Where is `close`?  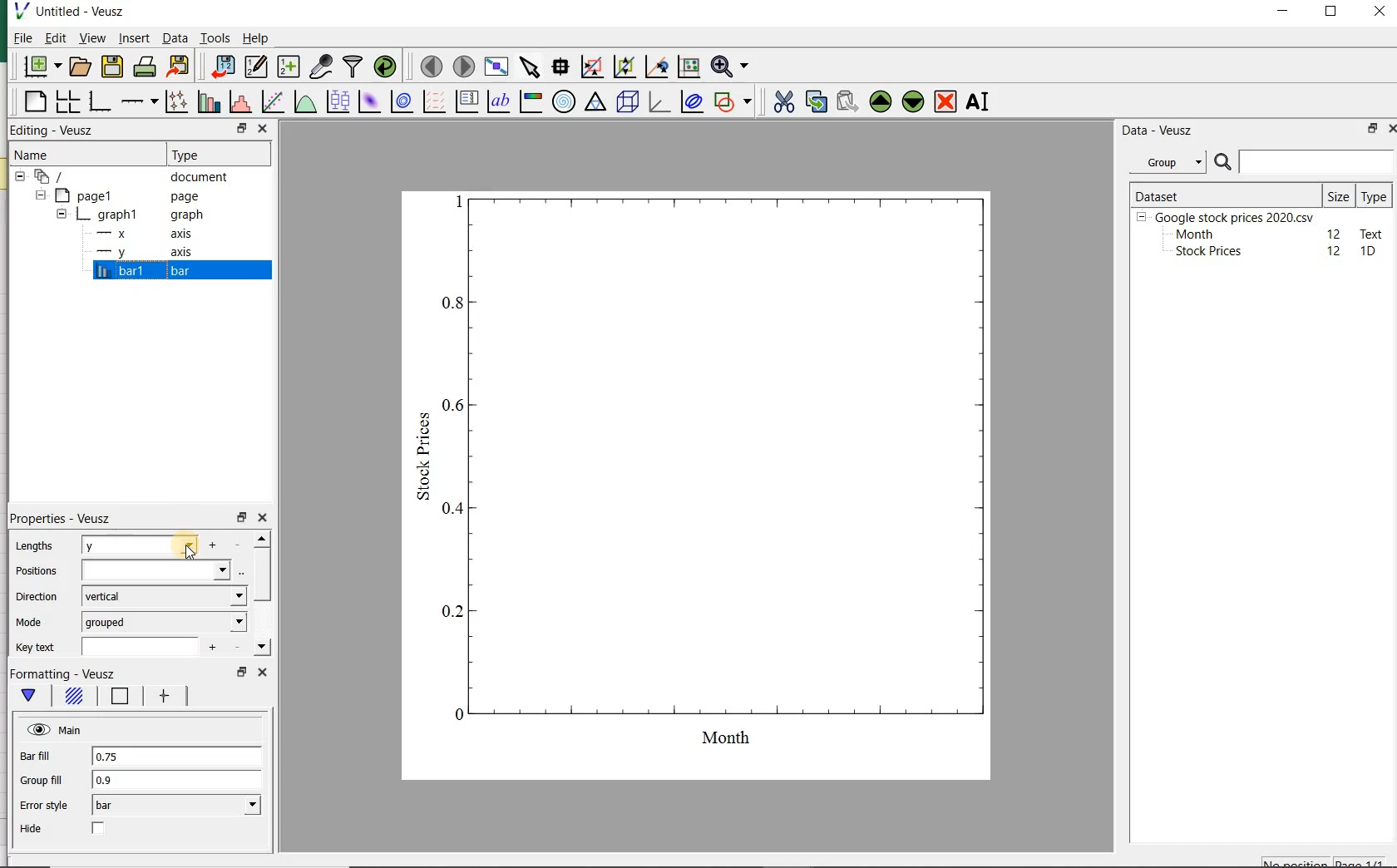 close is located at coordinates (262, 128).